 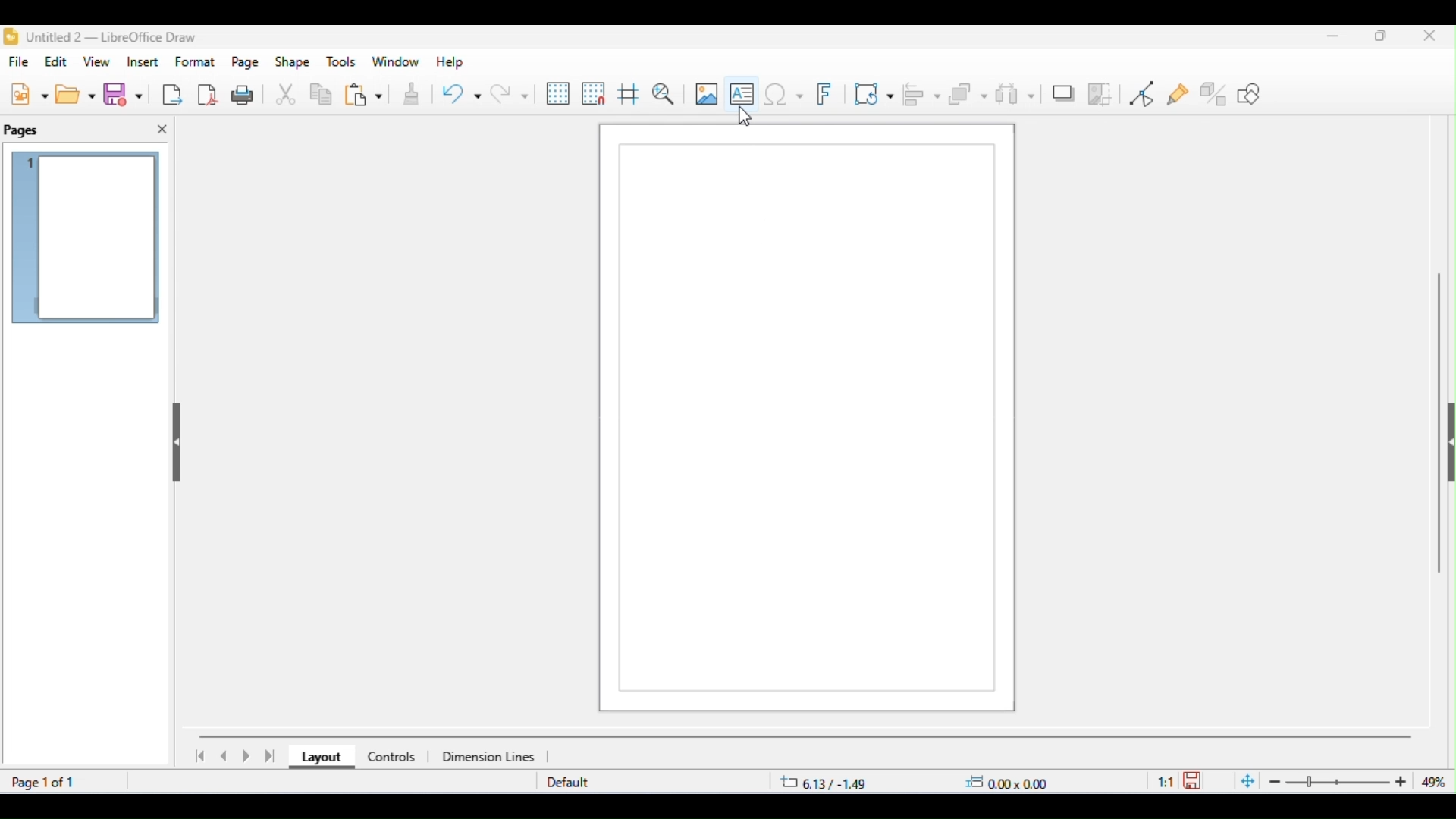 What do you see at coordinates (99, 63) in the screenshot?
I see `view` at bounding box center [99, 63].